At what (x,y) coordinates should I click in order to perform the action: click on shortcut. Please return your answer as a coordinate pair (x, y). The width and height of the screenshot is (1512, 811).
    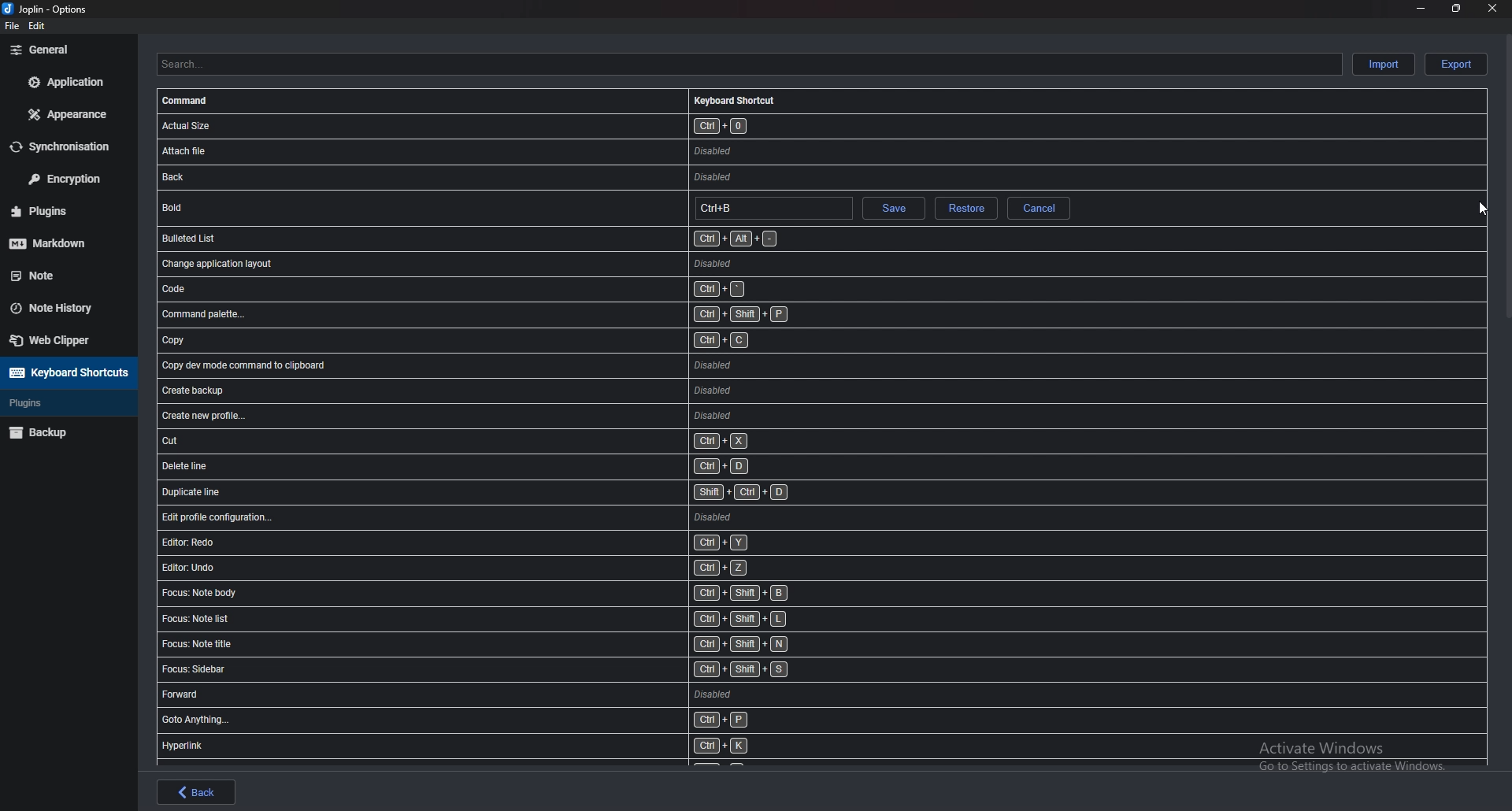
    Looking at the image, I should click on (526, 519).